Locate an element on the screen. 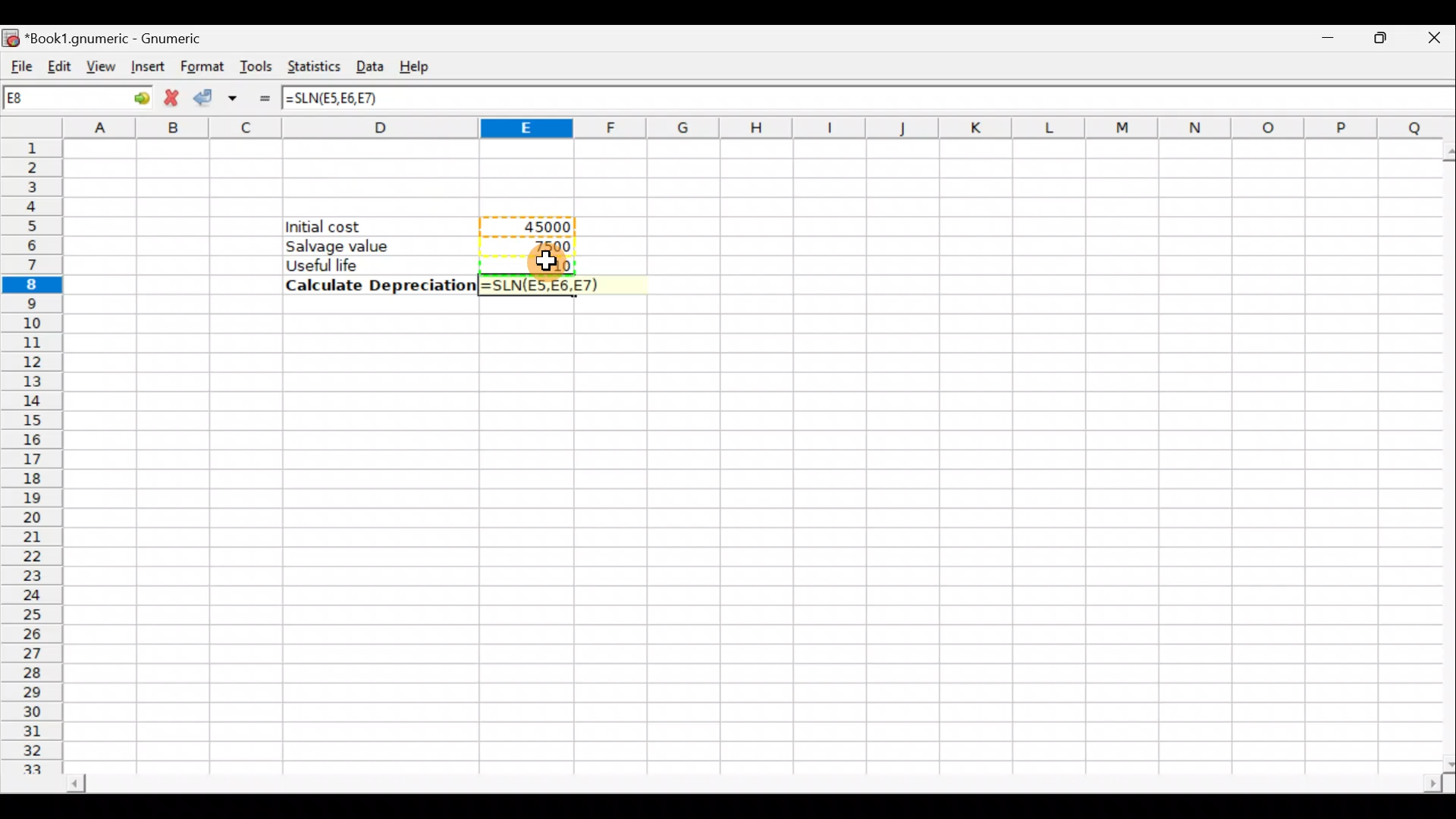 This screenshot has width=1456, height=819. Useful life is located at coordinates (372, 265).